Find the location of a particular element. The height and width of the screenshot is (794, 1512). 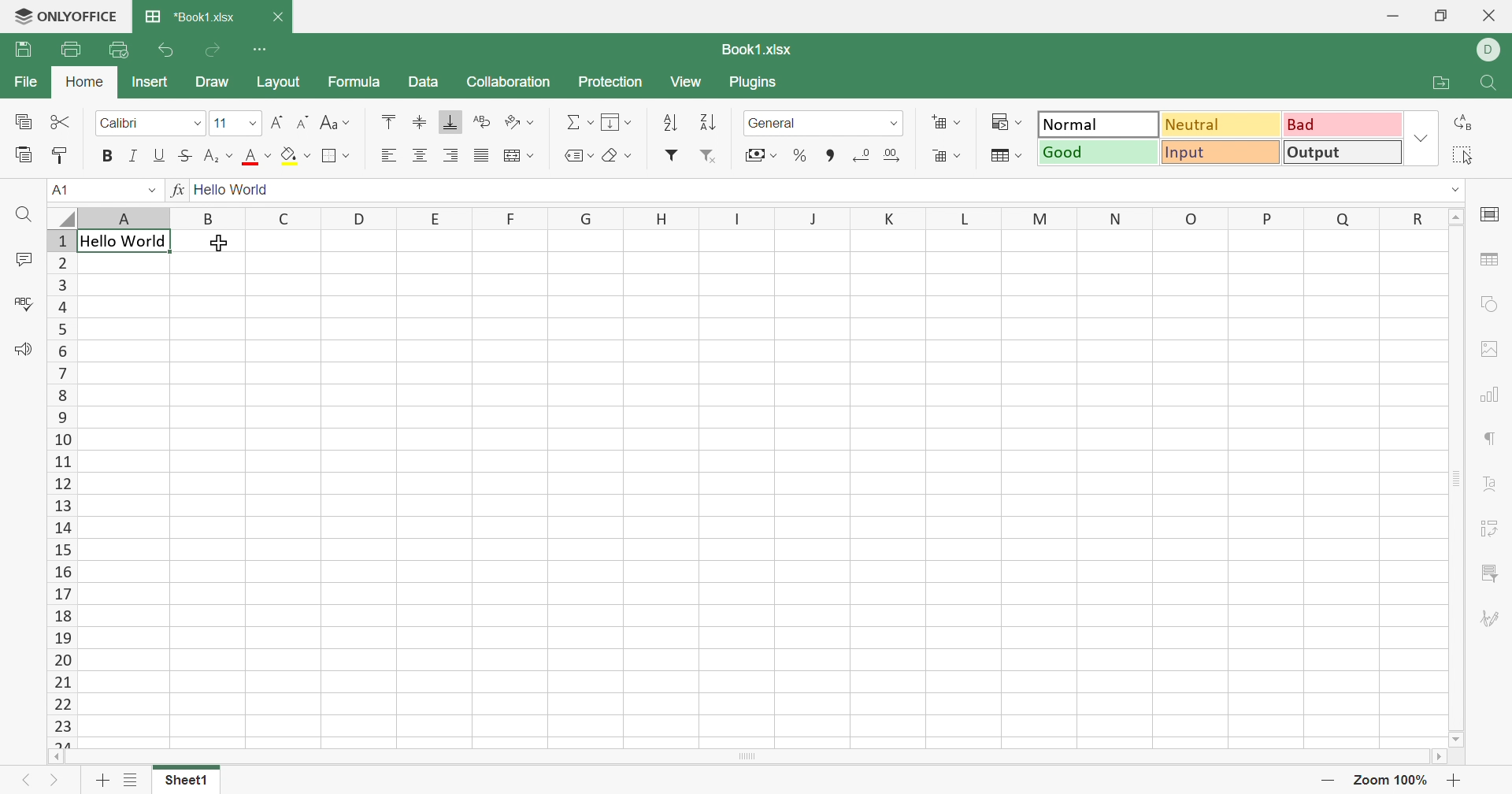

Undo is located at coordinates (165, 52).